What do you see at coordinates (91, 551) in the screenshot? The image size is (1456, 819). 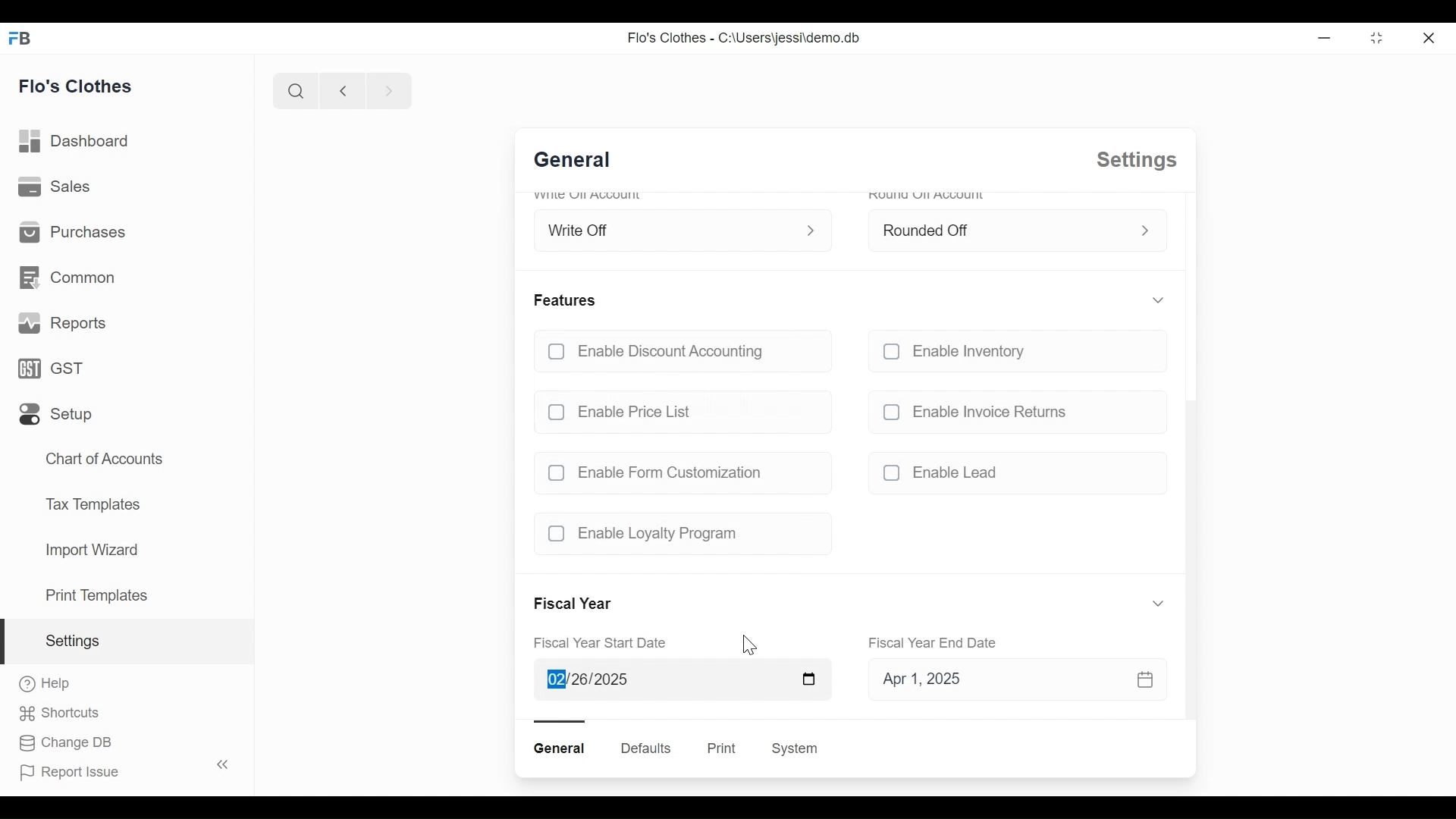 I see `Import Wizard` at bounding box center [91, 551].